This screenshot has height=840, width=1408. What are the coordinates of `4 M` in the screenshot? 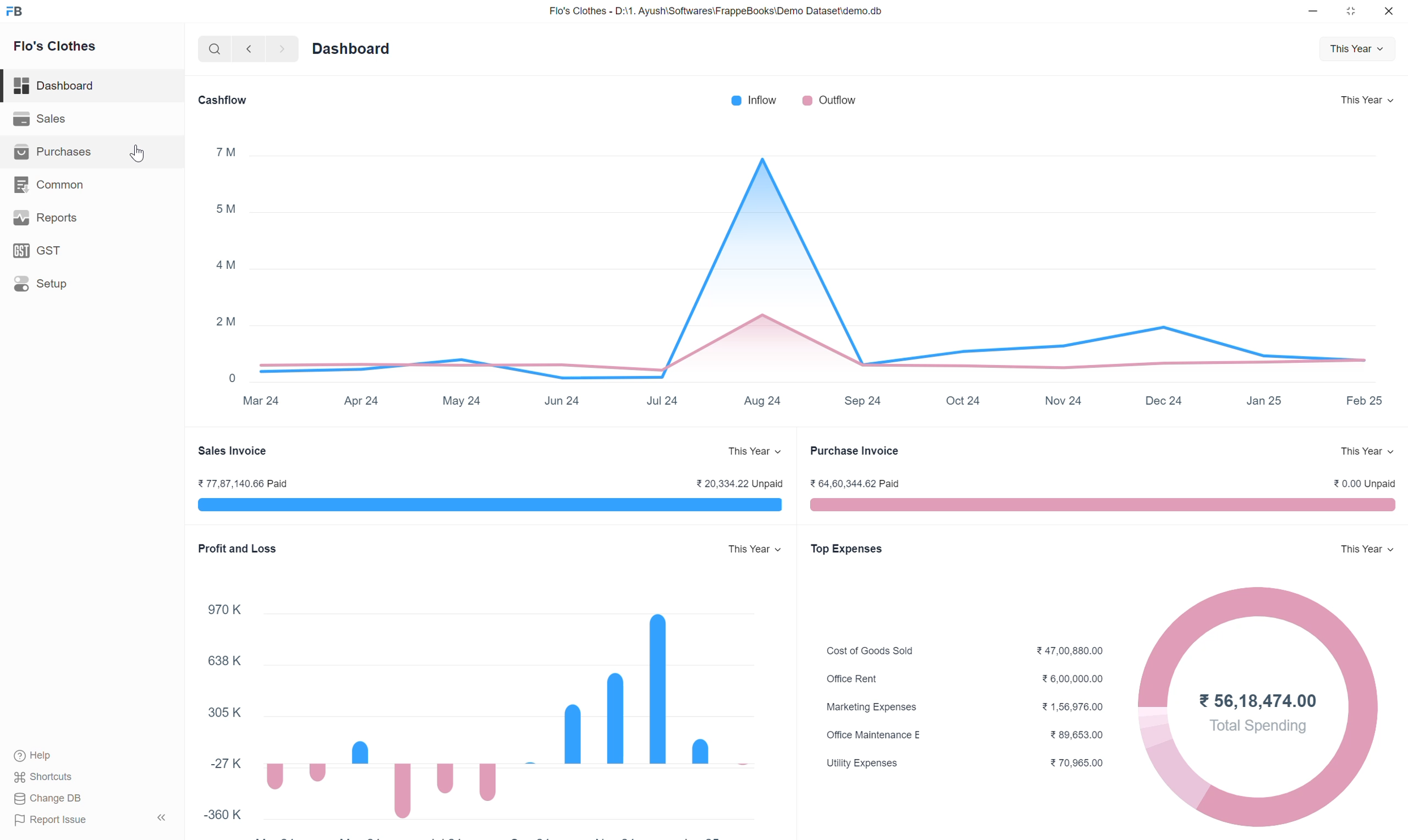 It's located at (228, 267).